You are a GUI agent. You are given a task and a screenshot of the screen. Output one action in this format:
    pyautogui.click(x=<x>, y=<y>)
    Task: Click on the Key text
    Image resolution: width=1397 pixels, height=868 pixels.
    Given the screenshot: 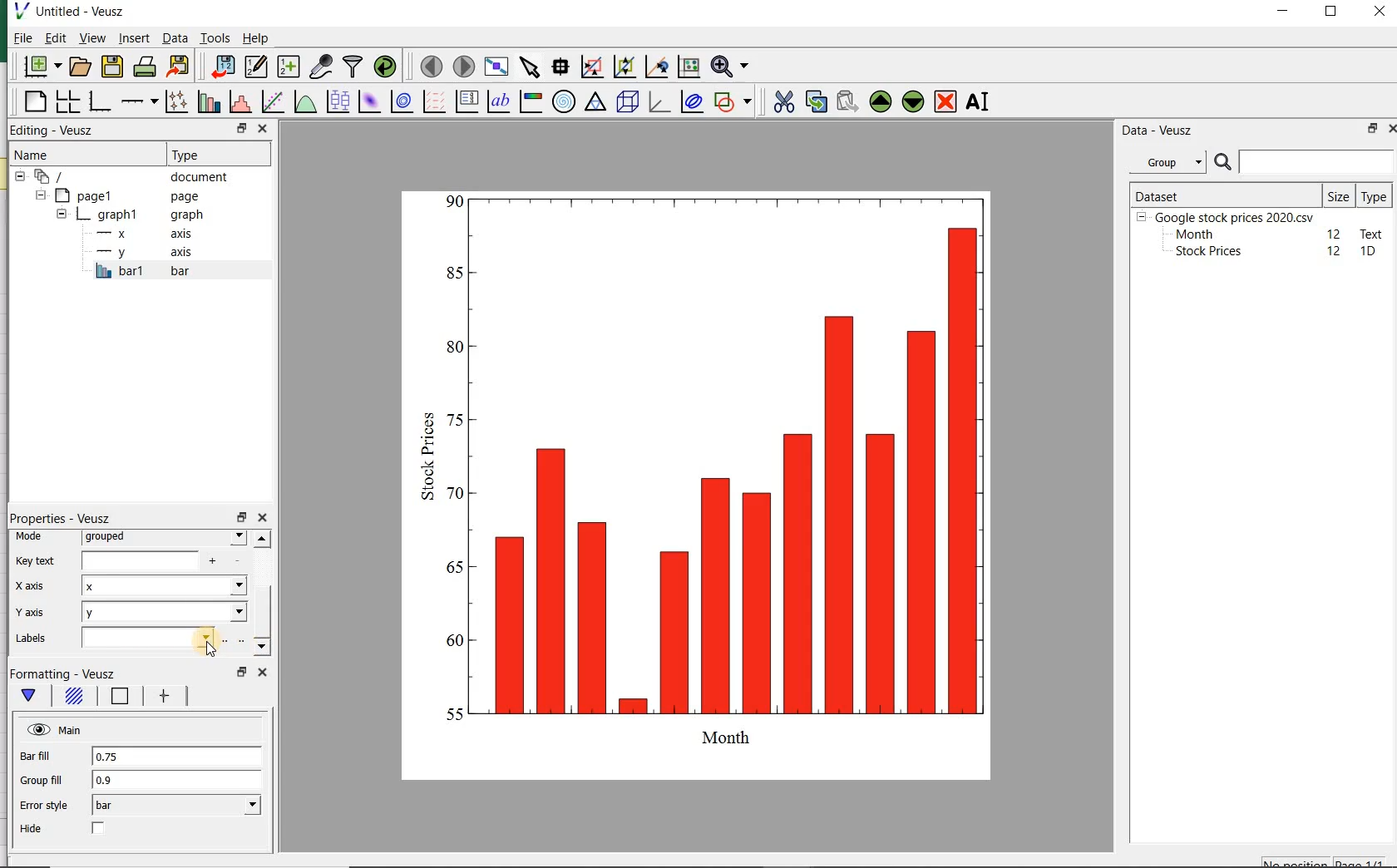 What is the action you would take?
    pyautogui.click(x=35, y=562)
    